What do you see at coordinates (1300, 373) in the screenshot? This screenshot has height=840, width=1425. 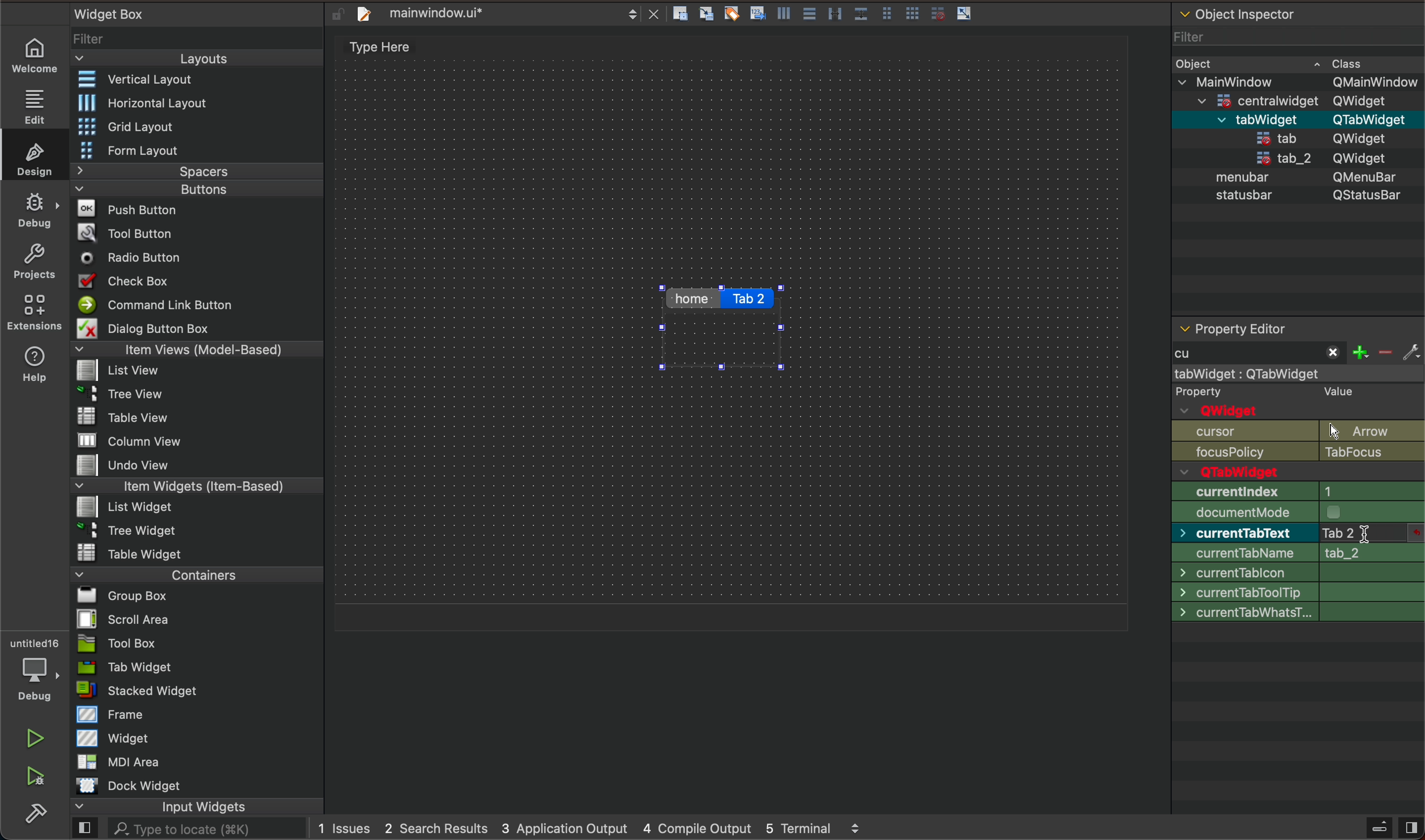 I see `mainwindow` at bounding box center [1300, 373].